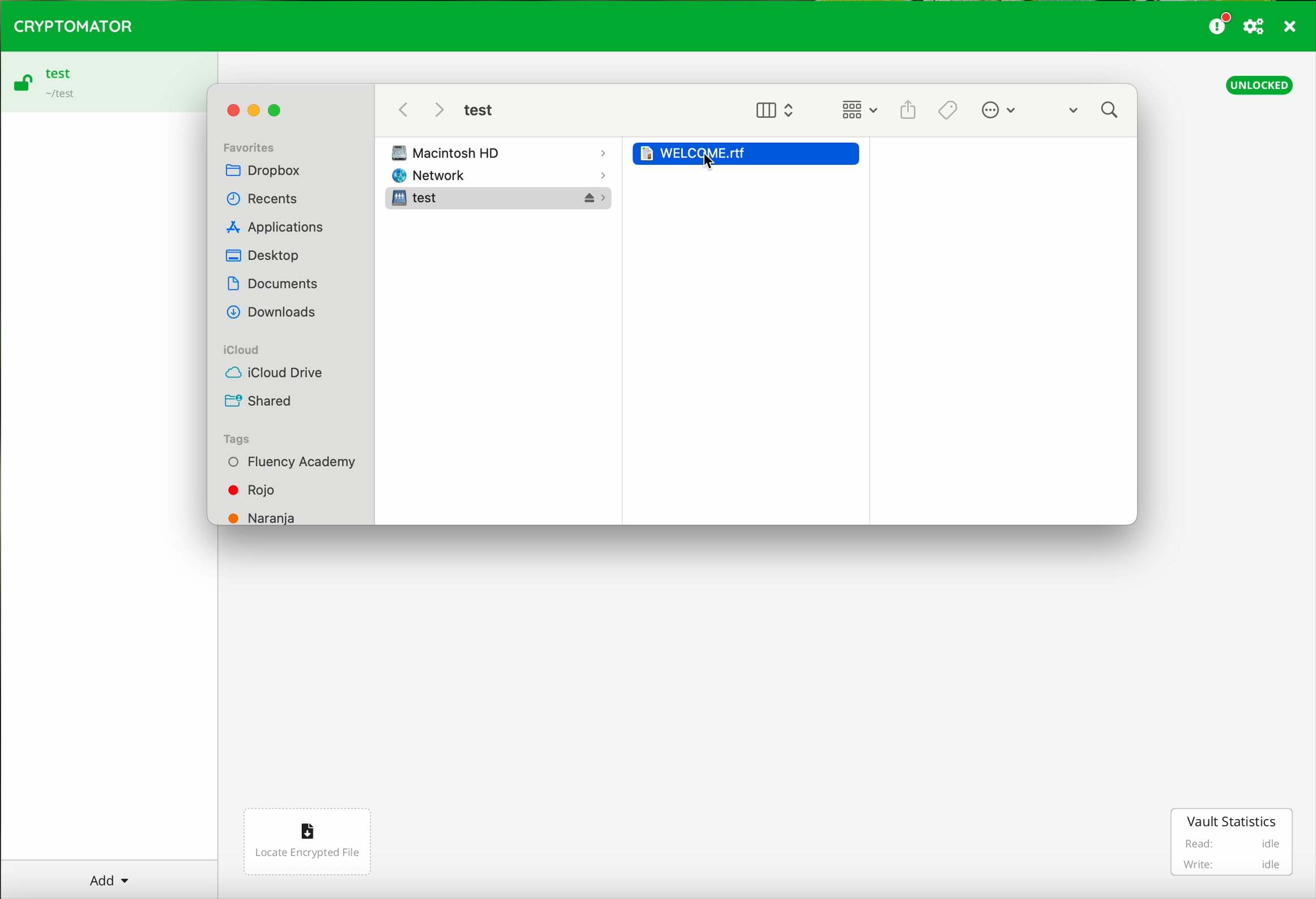  Describe the element at coordinates (263, 515) in the screenshot. I see `Naranja` at that location.